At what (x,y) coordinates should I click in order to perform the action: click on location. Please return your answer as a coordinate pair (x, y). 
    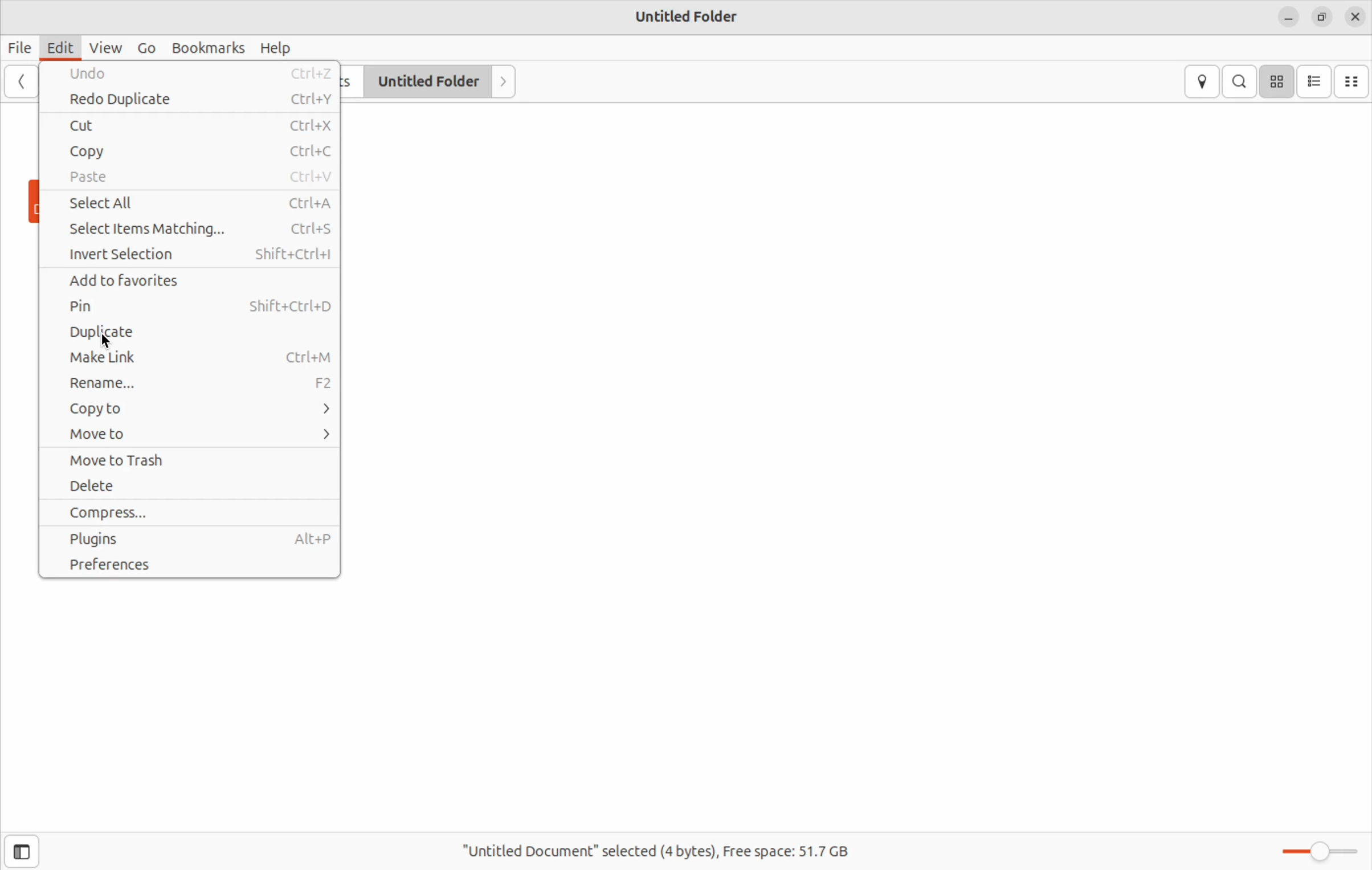
    Looking at the image, I should click on (1203, 83).